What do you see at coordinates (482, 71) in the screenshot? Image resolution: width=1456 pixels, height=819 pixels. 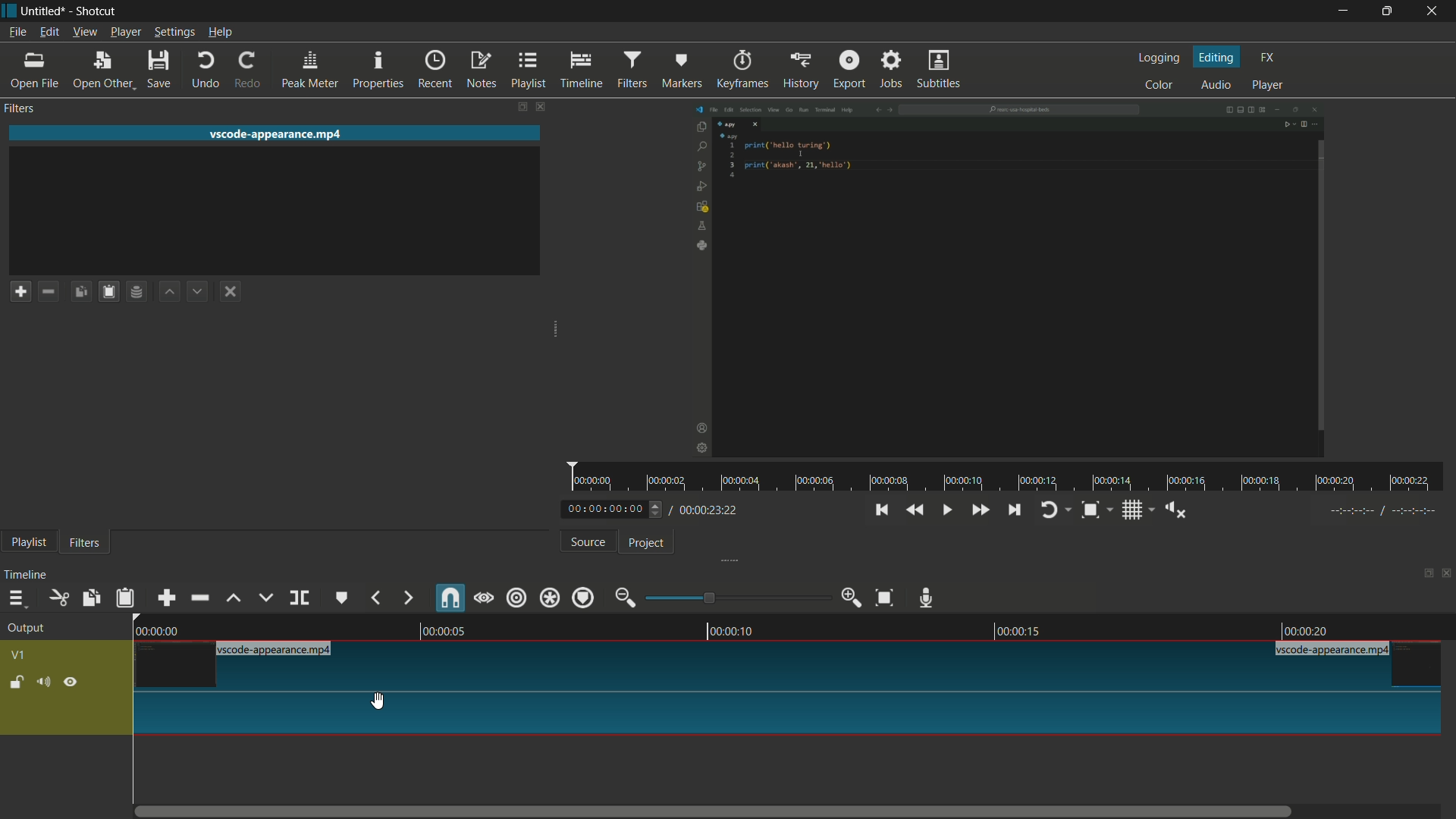 I see `notes` at bounding box center [482, 71].